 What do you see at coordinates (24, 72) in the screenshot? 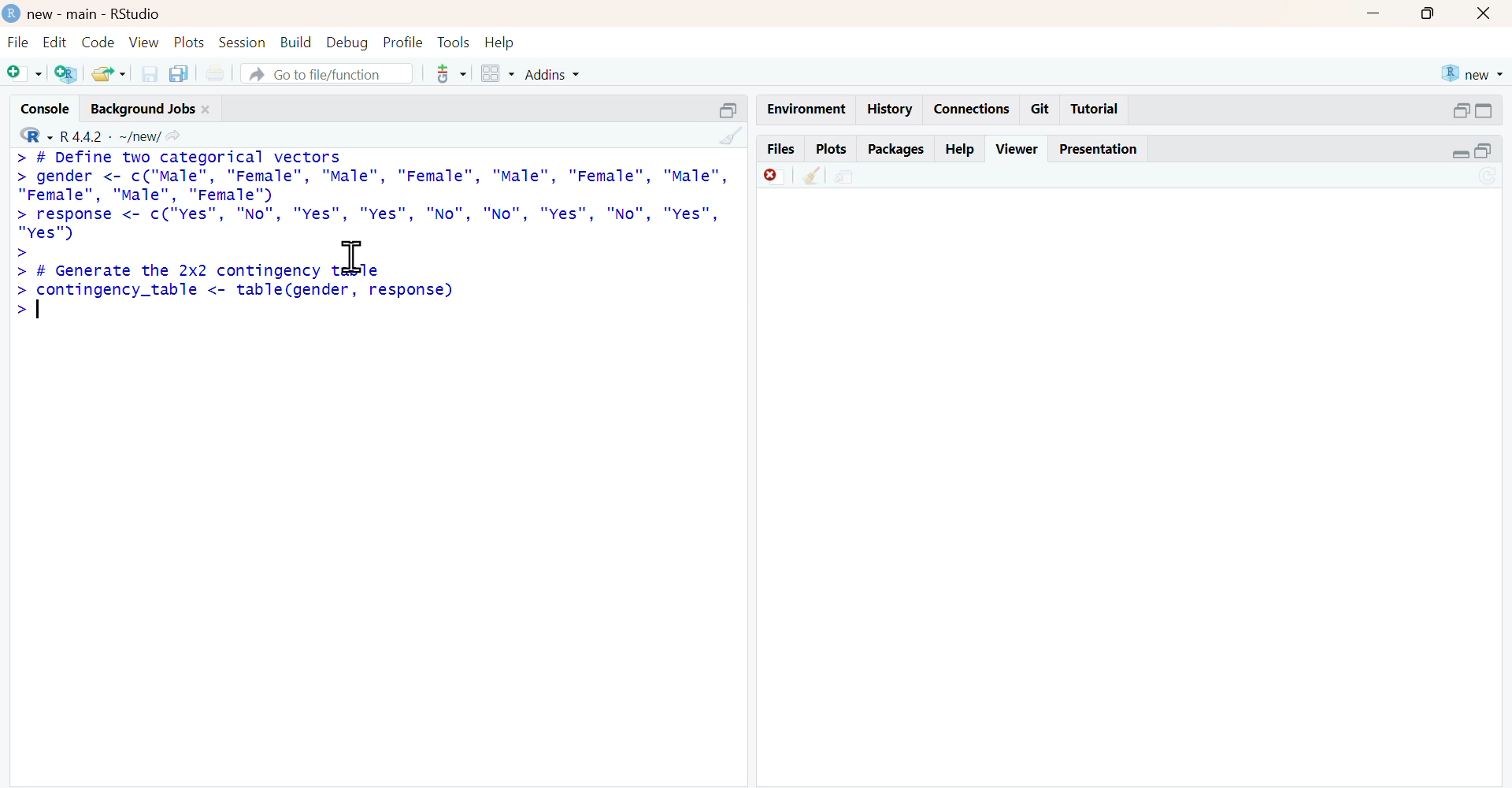
I see `Add file as` at bounding box center [24, 72].